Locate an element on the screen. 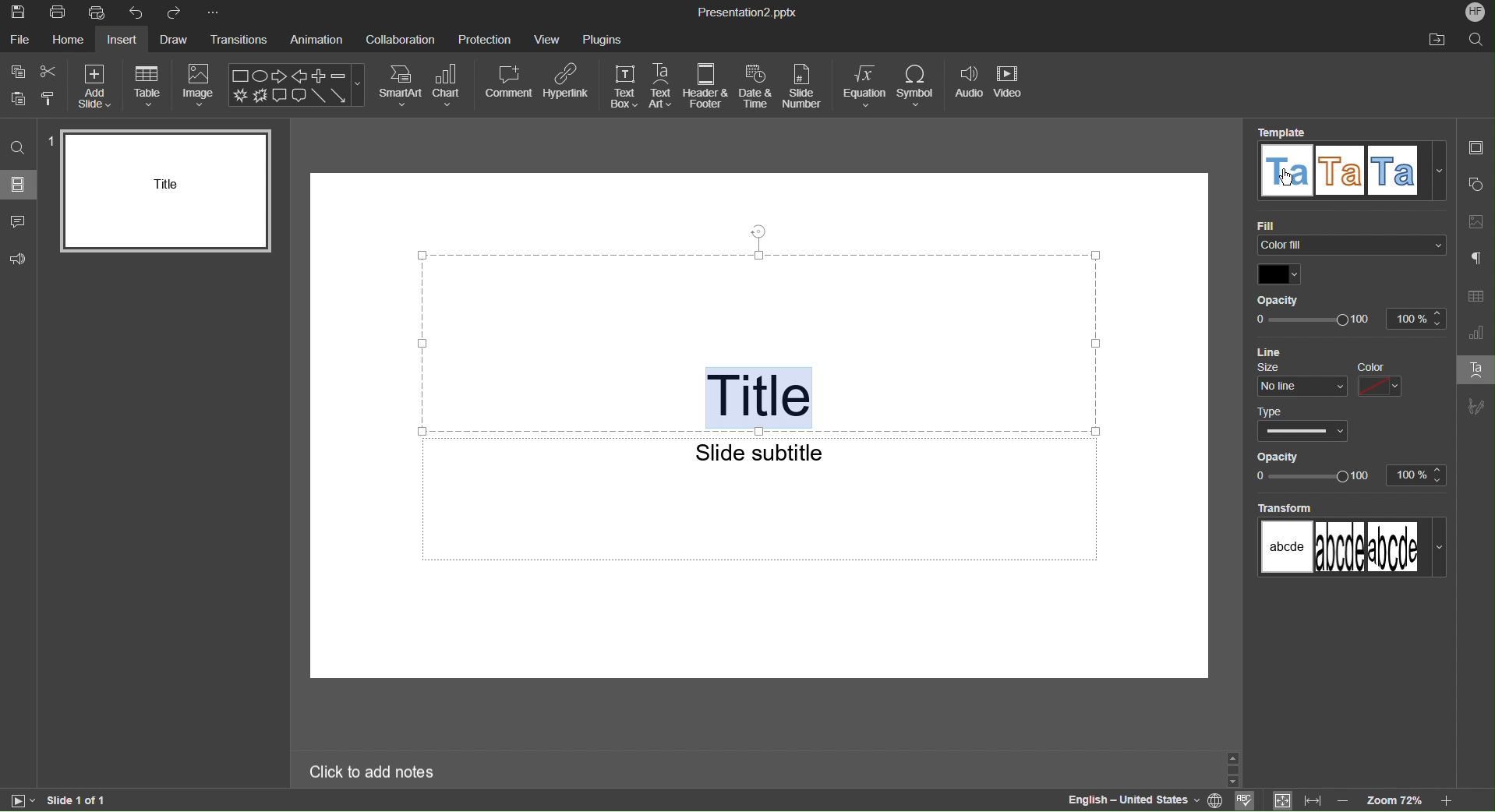 This screenshot has height=812, width=1495. View is located at coordinates (550, 38).